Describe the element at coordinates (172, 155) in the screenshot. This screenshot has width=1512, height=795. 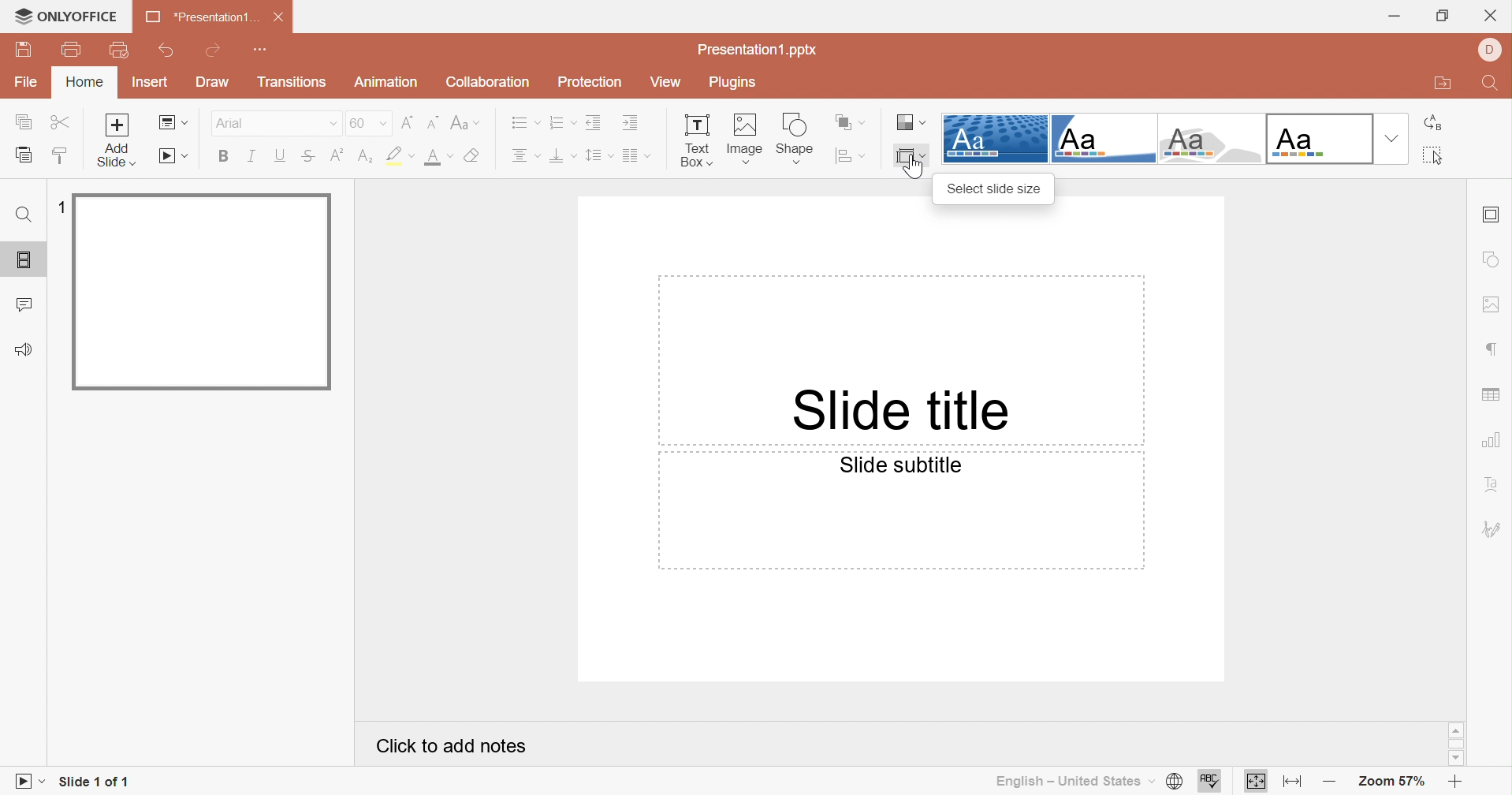
I see `Start slideshow` at that location.